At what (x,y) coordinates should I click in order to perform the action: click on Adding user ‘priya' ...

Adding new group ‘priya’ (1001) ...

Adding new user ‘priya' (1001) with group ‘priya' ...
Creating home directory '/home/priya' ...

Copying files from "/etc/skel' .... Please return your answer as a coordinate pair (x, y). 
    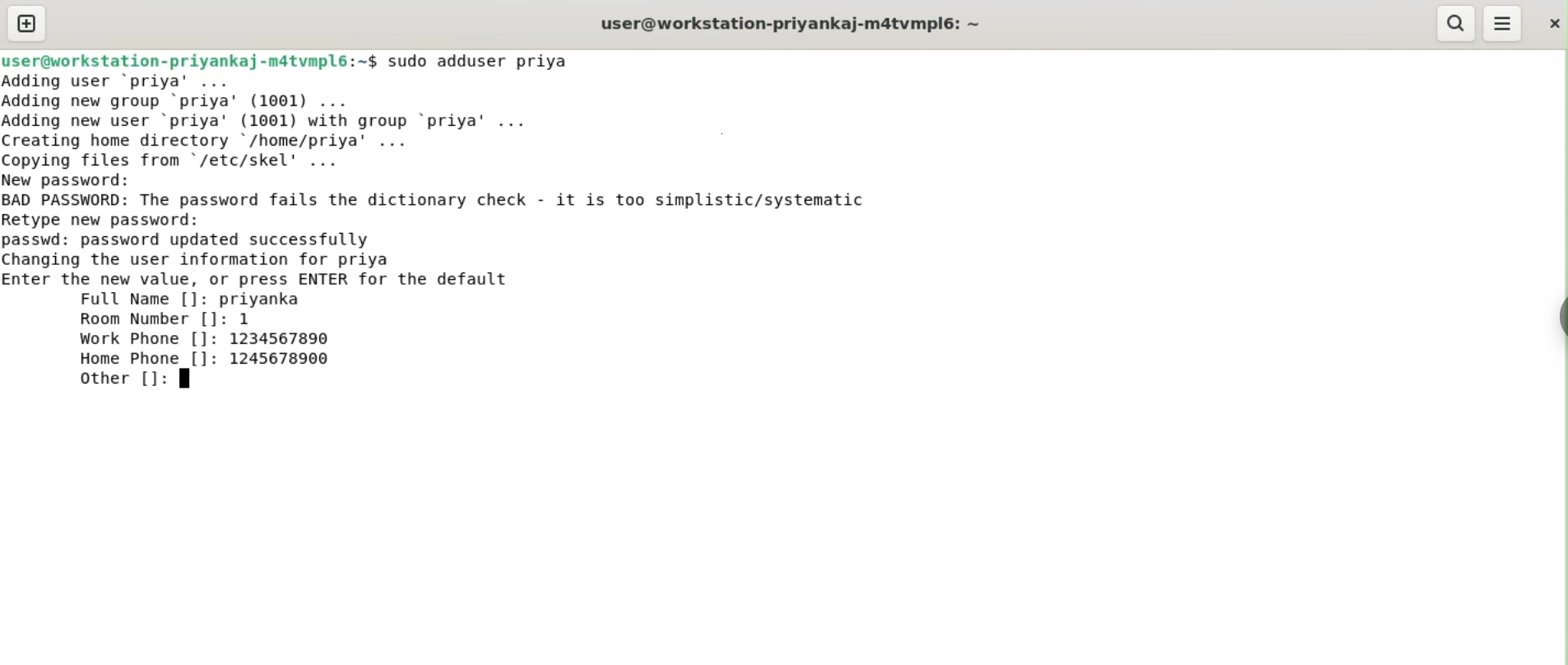
    Looking at the image, I should click on (274, 121).